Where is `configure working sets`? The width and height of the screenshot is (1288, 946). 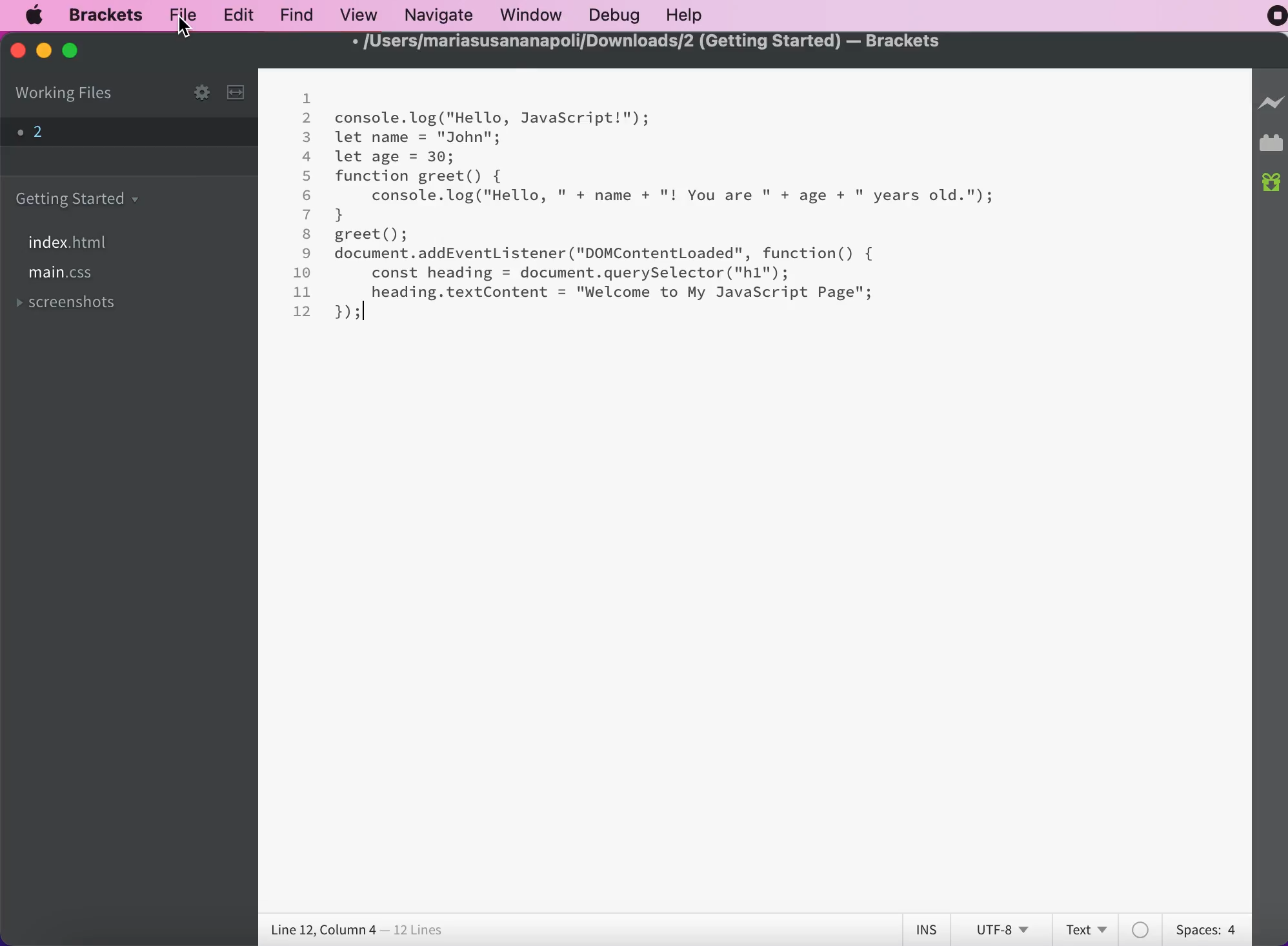 configure working sets is located at coordinates (190, 92).